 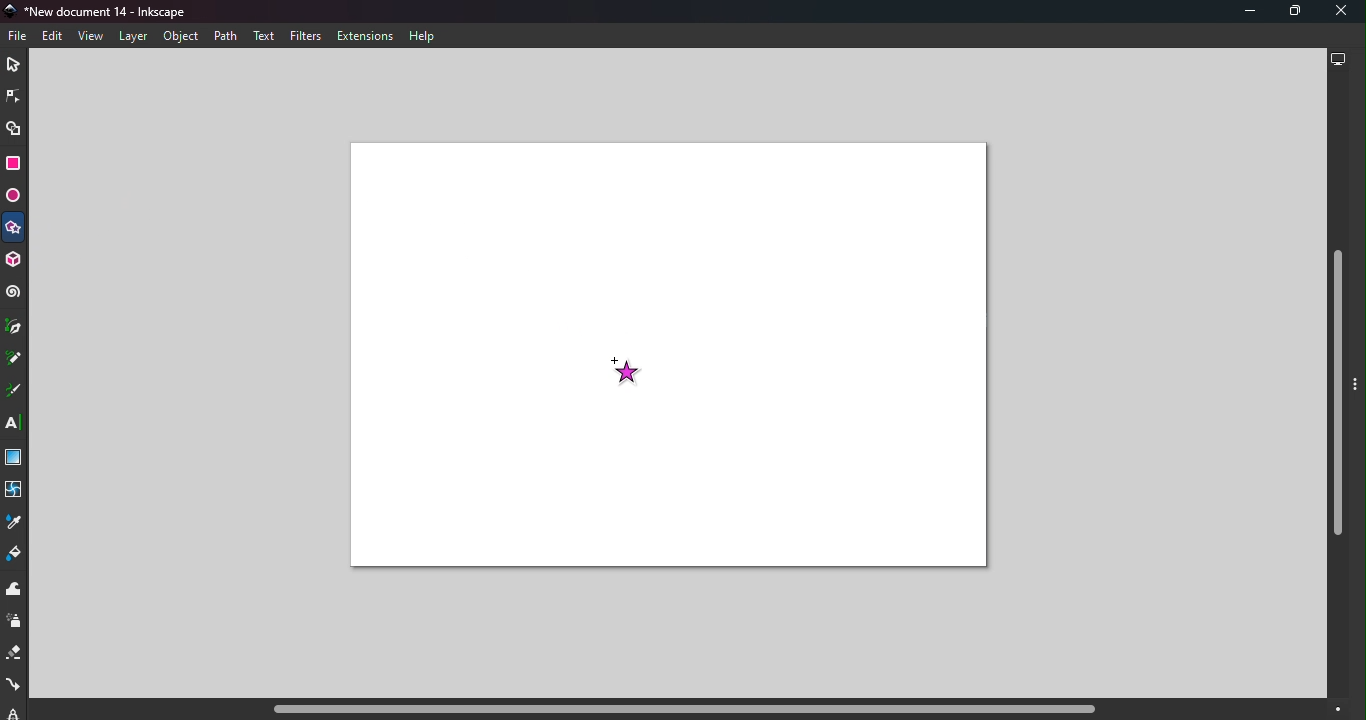 I want to click on Document name, so click(x=104, y=11).